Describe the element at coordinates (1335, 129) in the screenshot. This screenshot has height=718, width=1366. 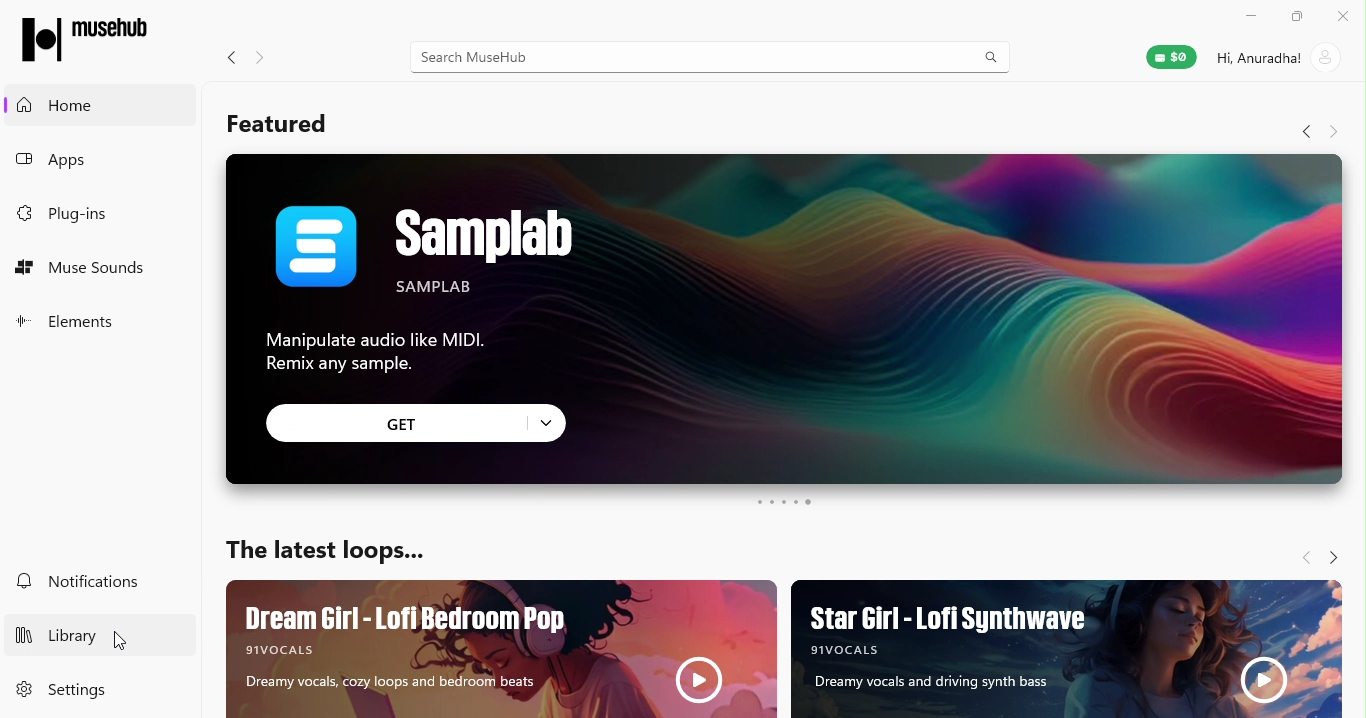
I see `Navigate forward` at that location.